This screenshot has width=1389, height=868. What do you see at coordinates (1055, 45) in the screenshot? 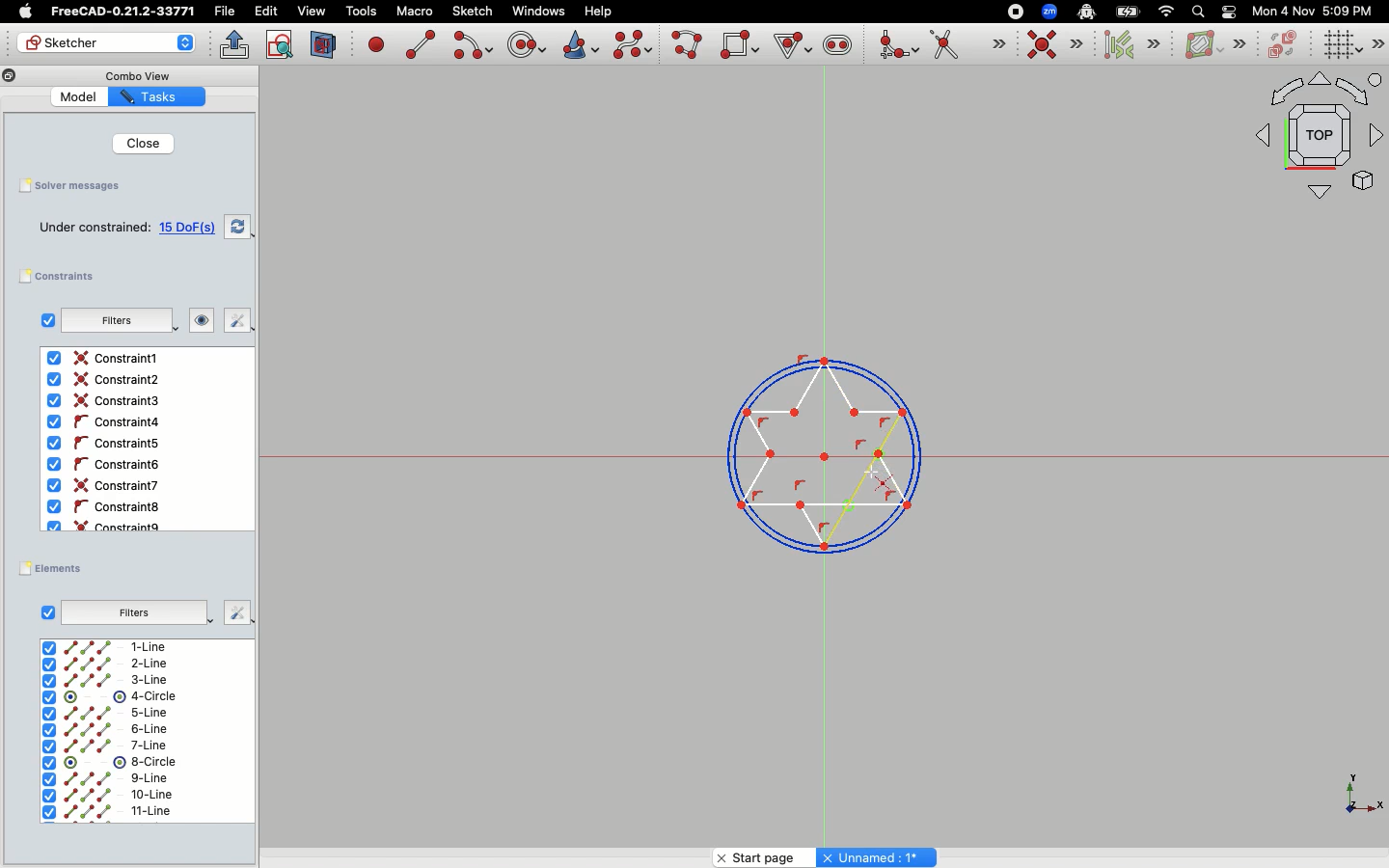
I see `Constraint coincident` at bounding box center [1055, 45].